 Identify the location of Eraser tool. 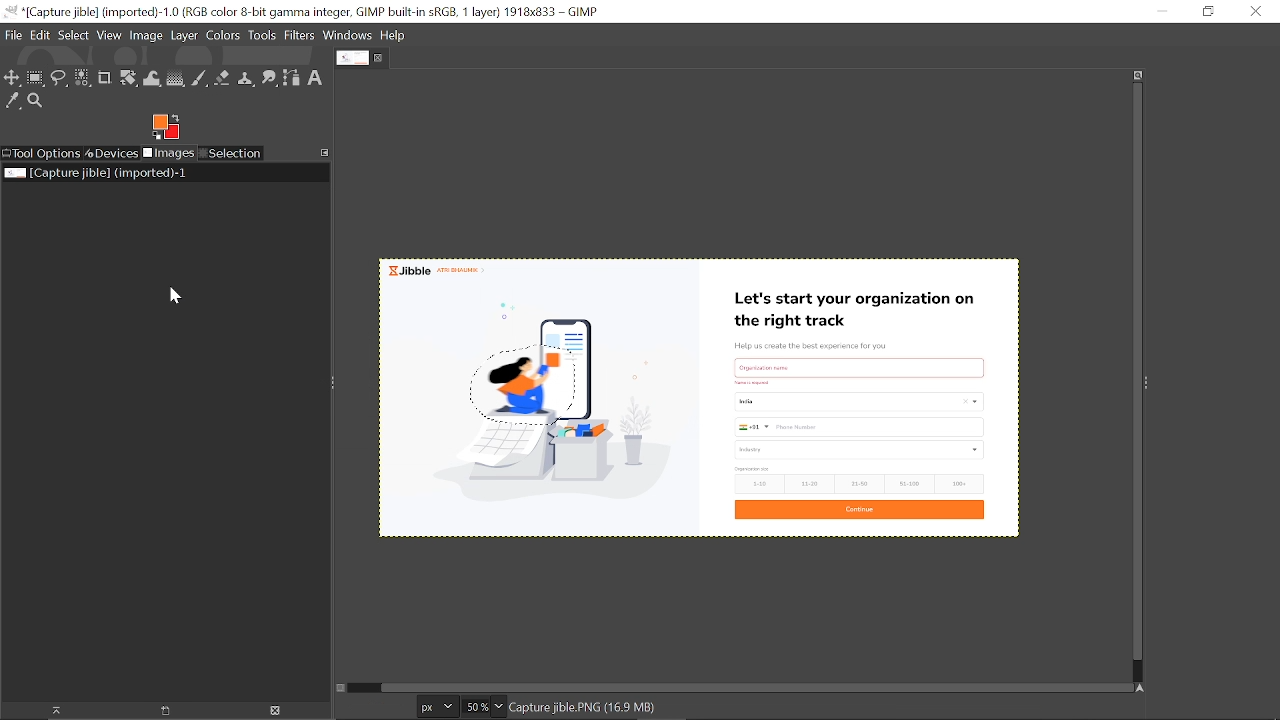
(222, 78).